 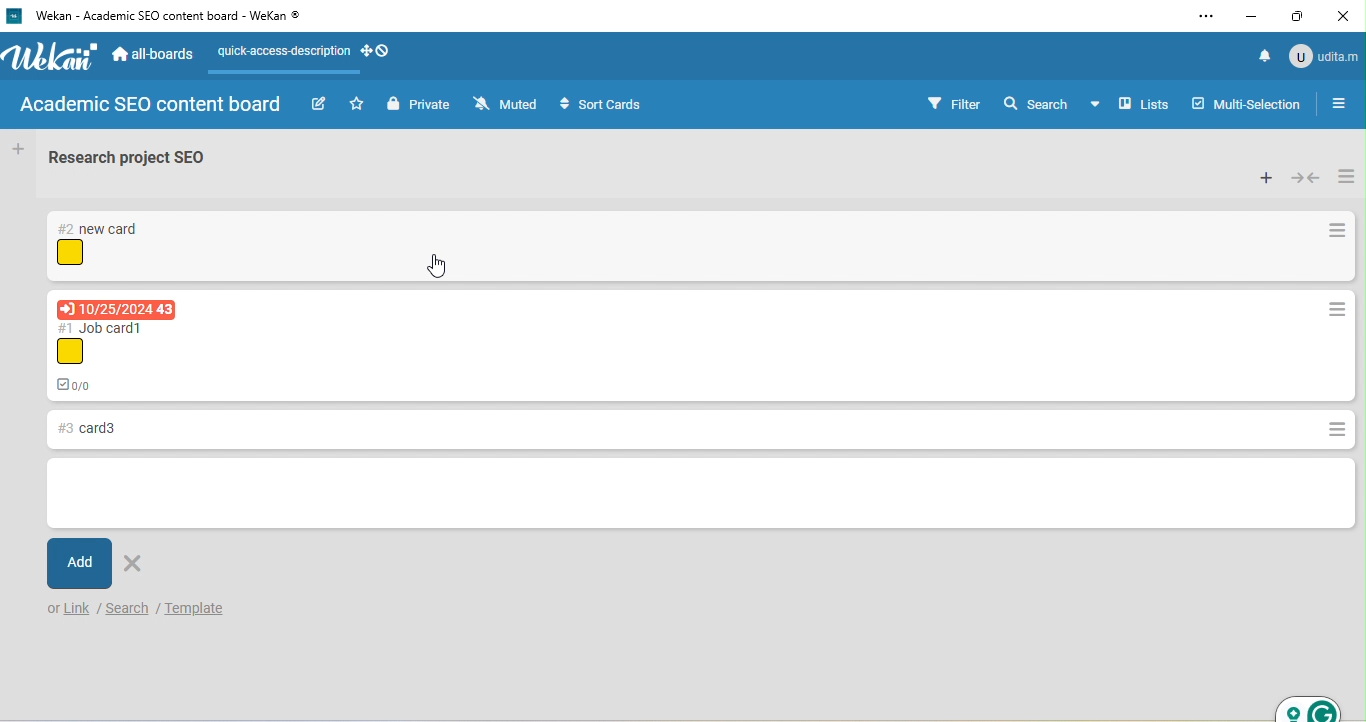 I want to click on star this board, so click(x=357, y=103).